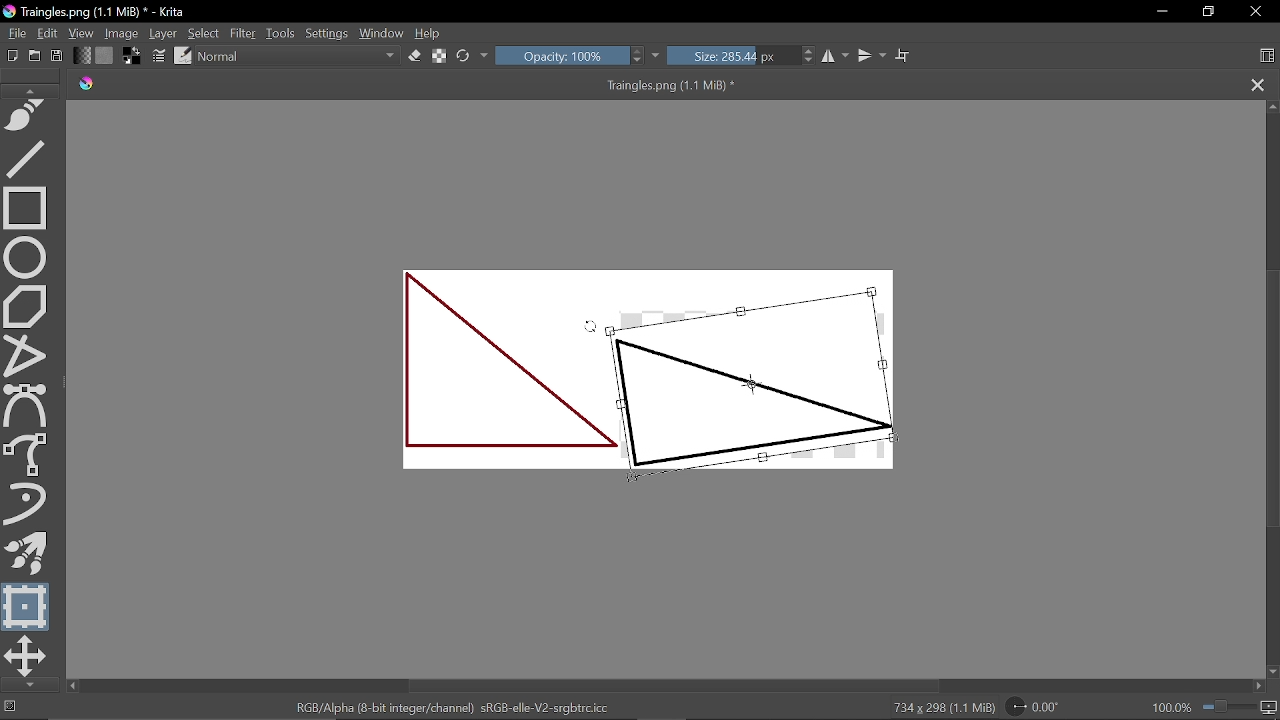 The width and height of the screenshot is (1280, 720). I want to click on File, so click(14, 33).